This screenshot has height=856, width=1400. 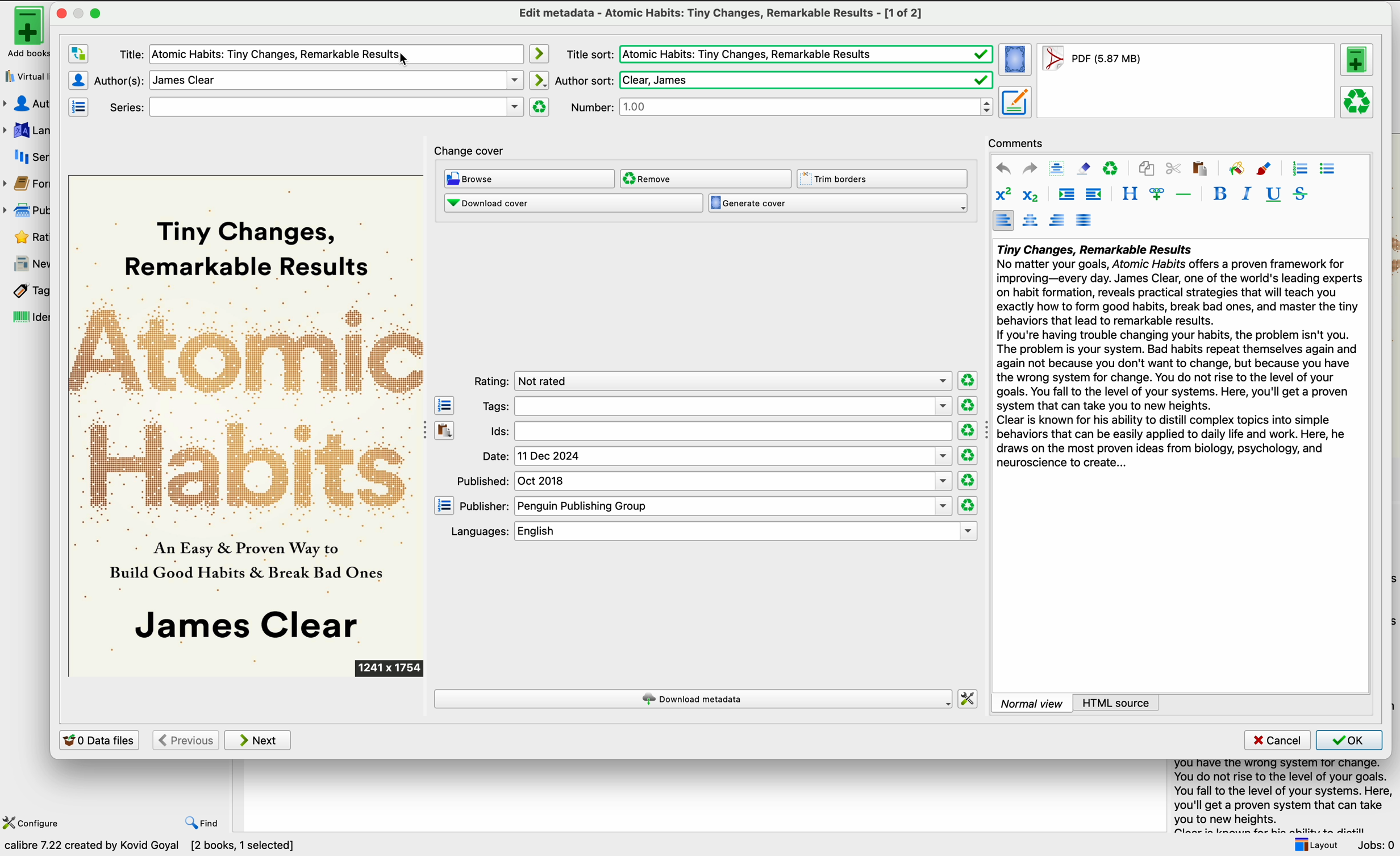 What do you see at coordinates (1315, 845) in the screenshot?
I see `layout` at bounding box center [1315, 845].